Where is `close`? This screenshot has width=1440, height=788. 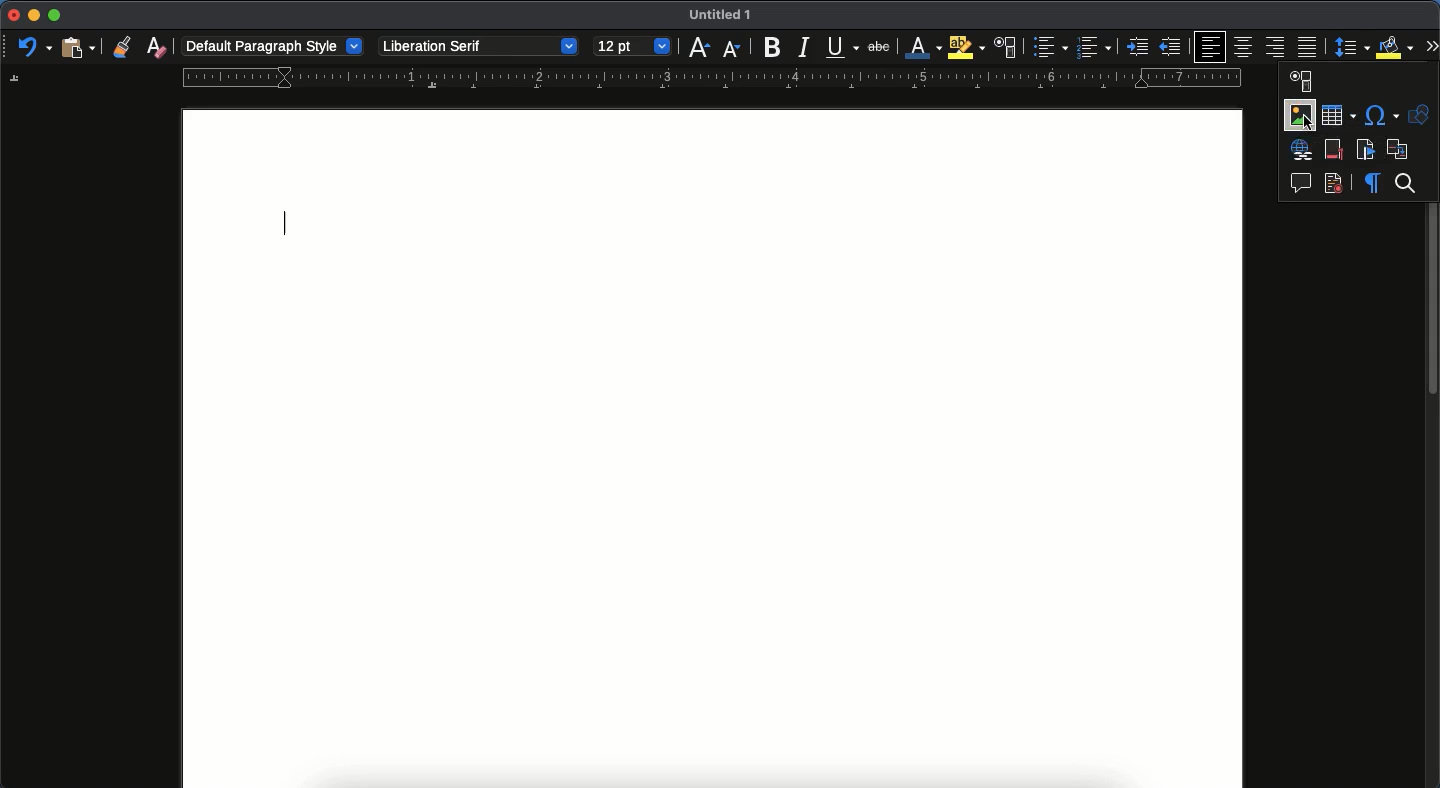
close is located at coordinates (12, 16).